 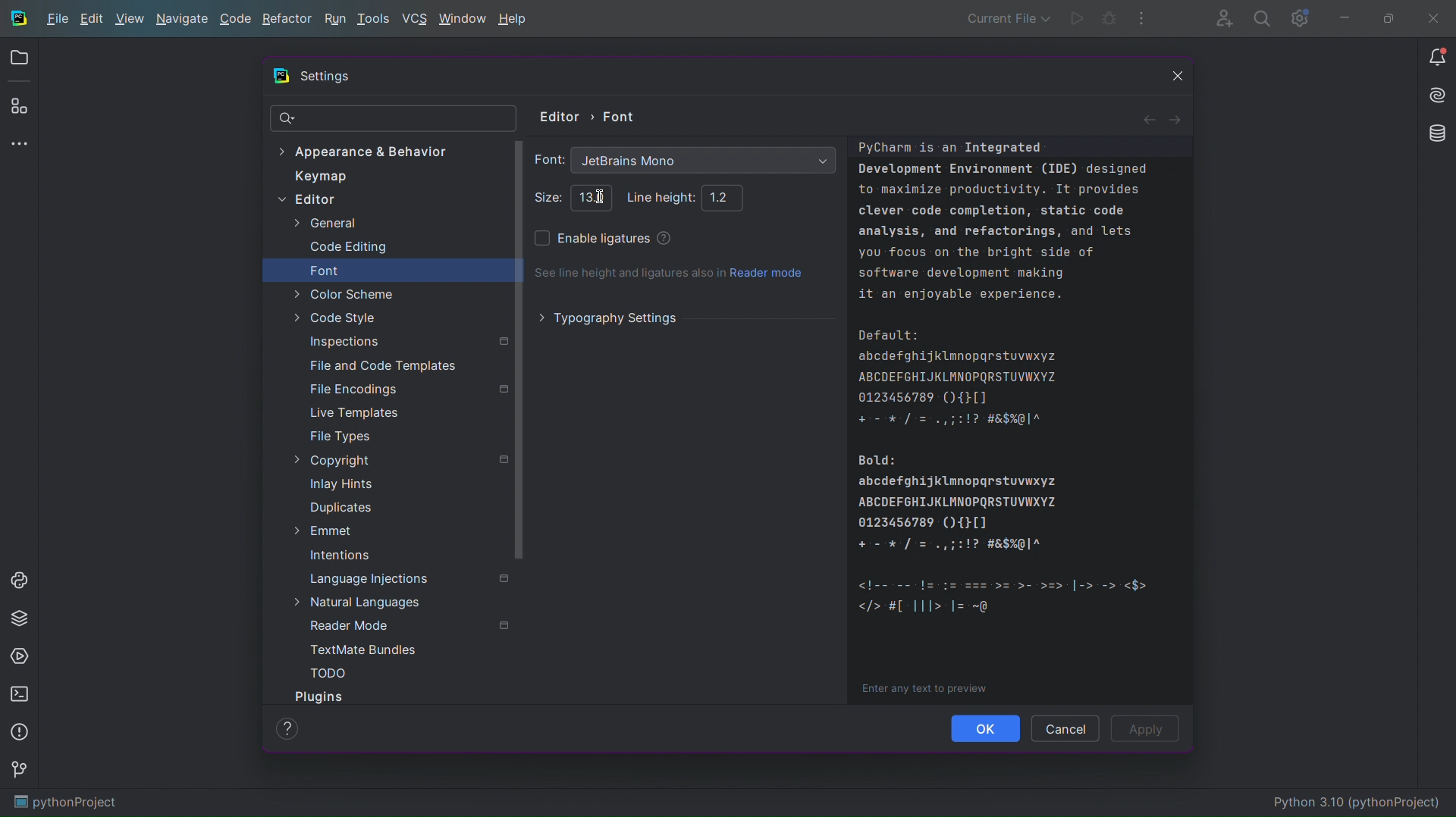 What do you see at coordinates (21, 618) in the screenshot?
I see `Python Packages` at bounding box center [21, 618].